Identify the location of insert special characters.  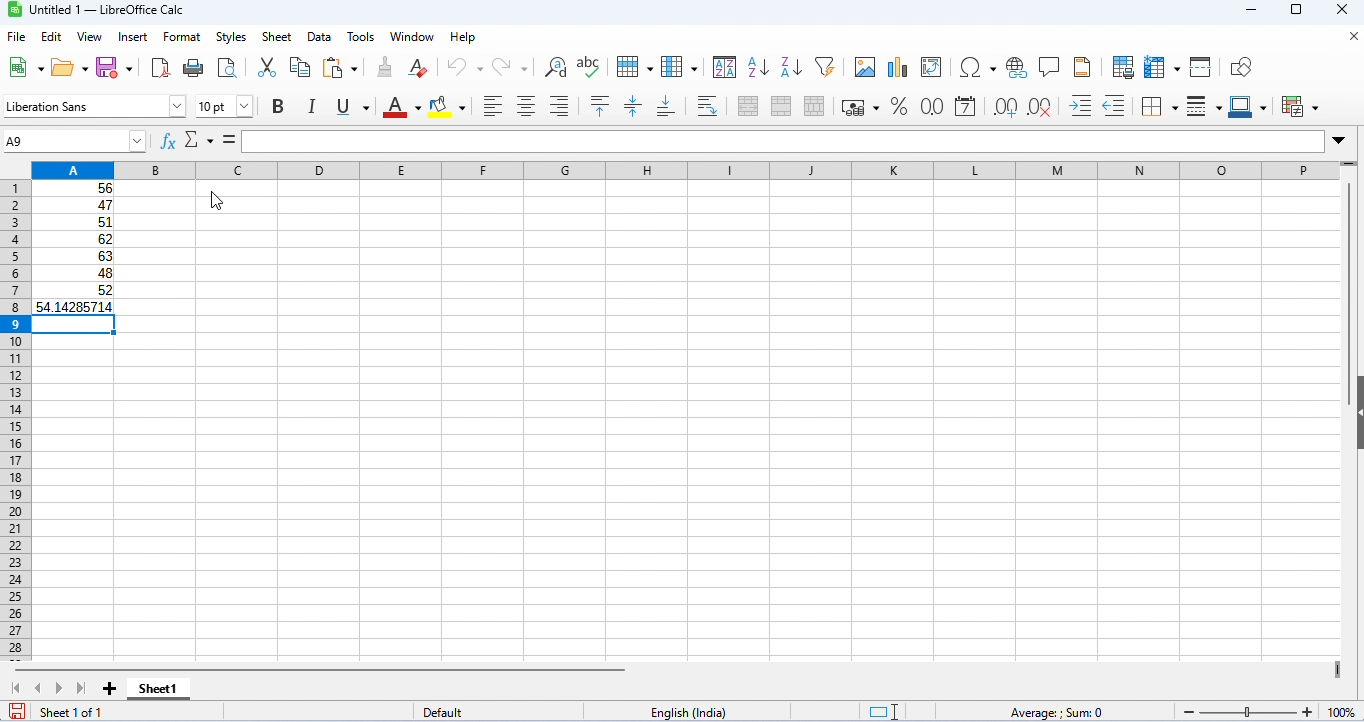
(978, 67).